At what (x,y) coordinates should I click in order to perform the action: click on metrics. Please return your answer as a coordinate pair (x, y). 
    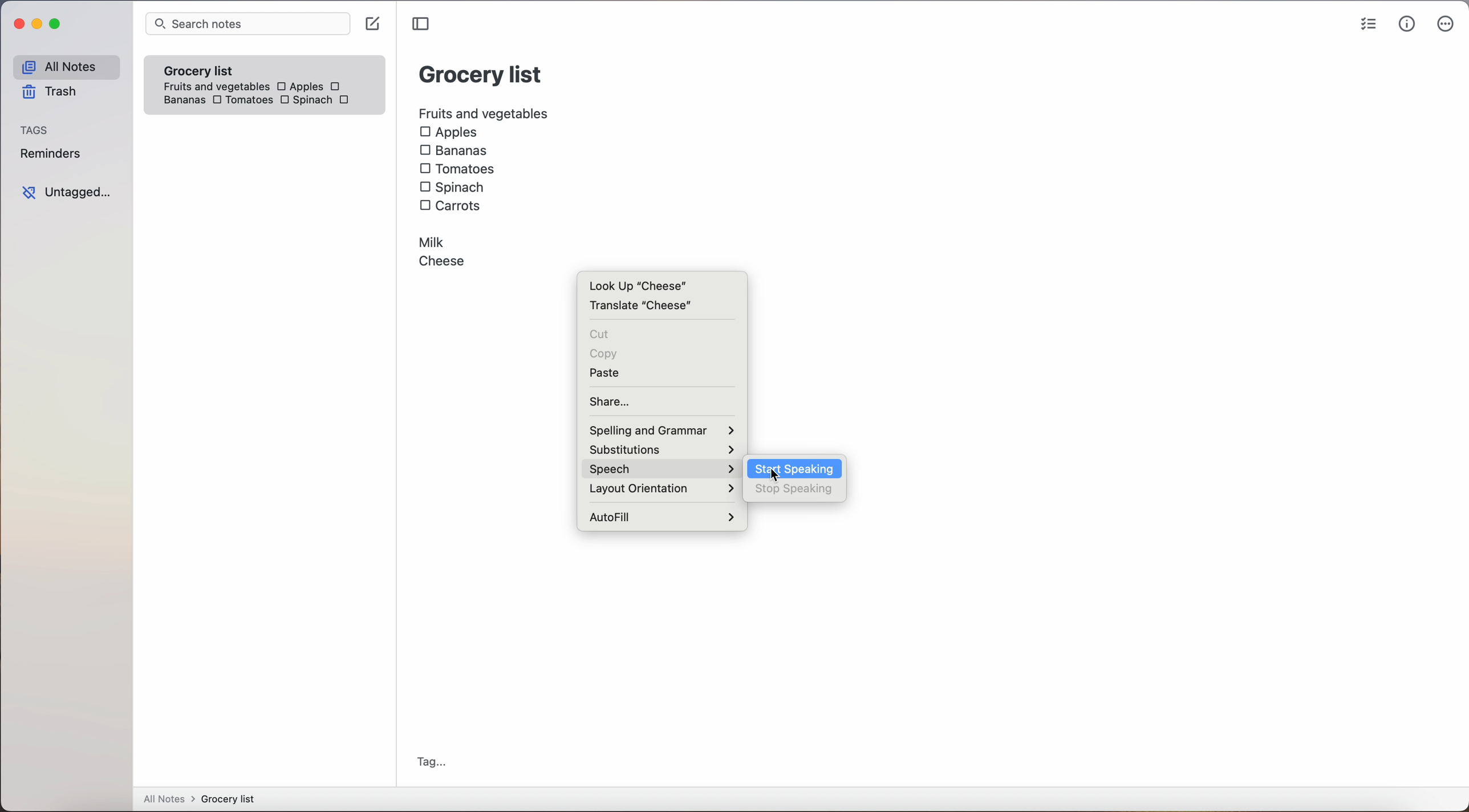
    Looking at the image, I should click on (1406, 25).